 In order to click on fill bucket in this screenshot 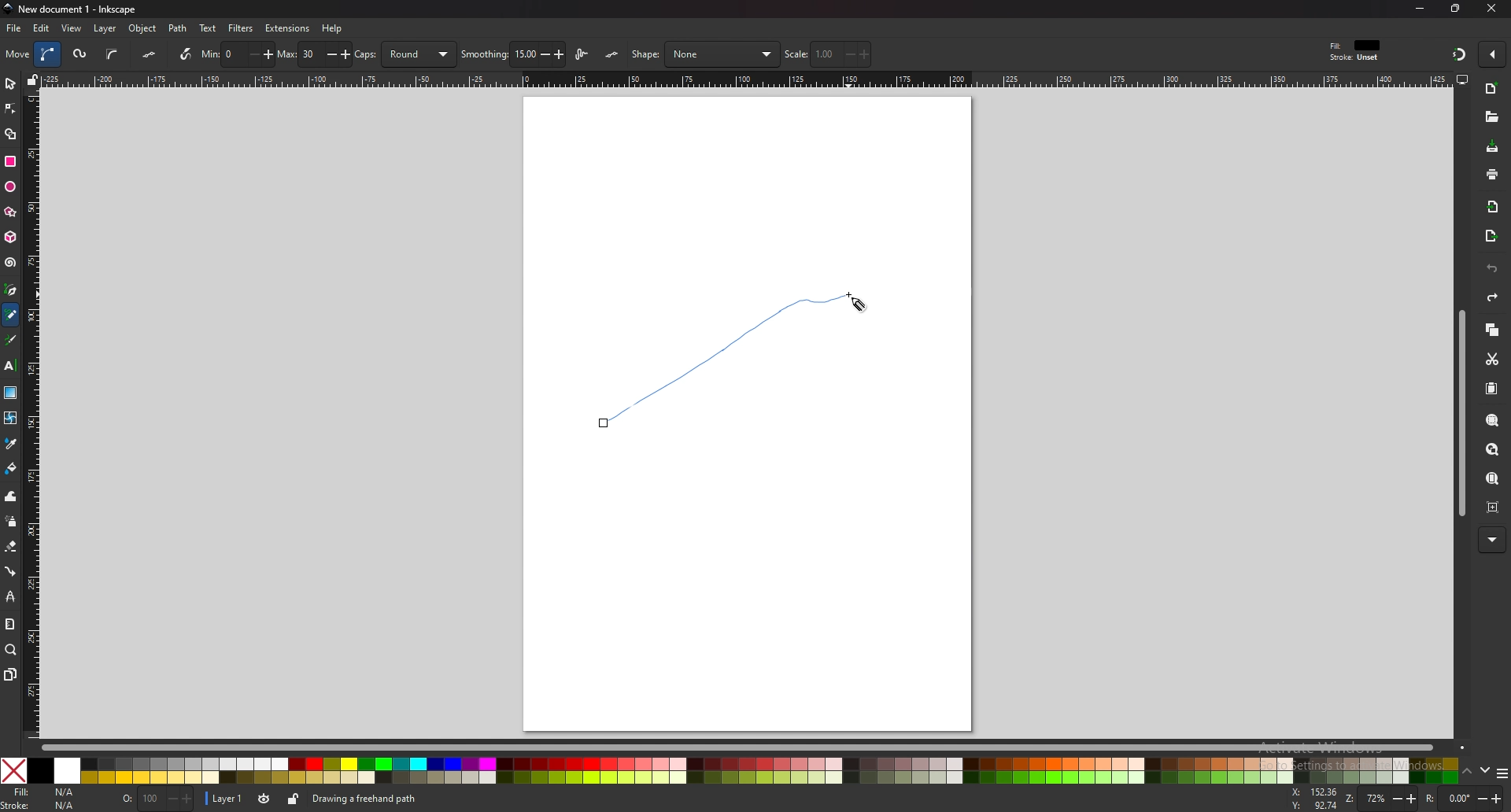, I will do `click(10, 468)`.